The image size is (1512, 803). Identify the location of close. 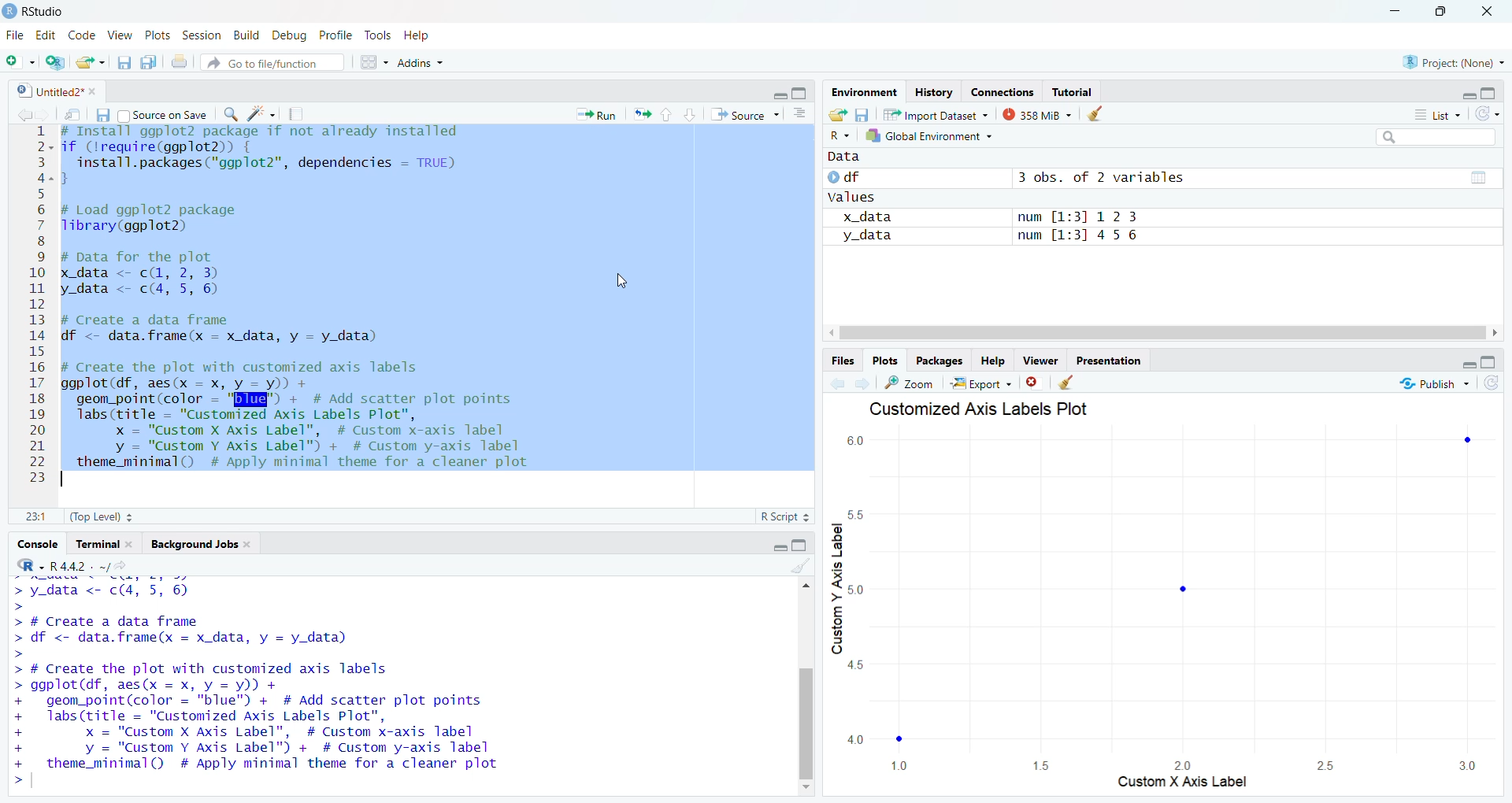
(1036, 385).